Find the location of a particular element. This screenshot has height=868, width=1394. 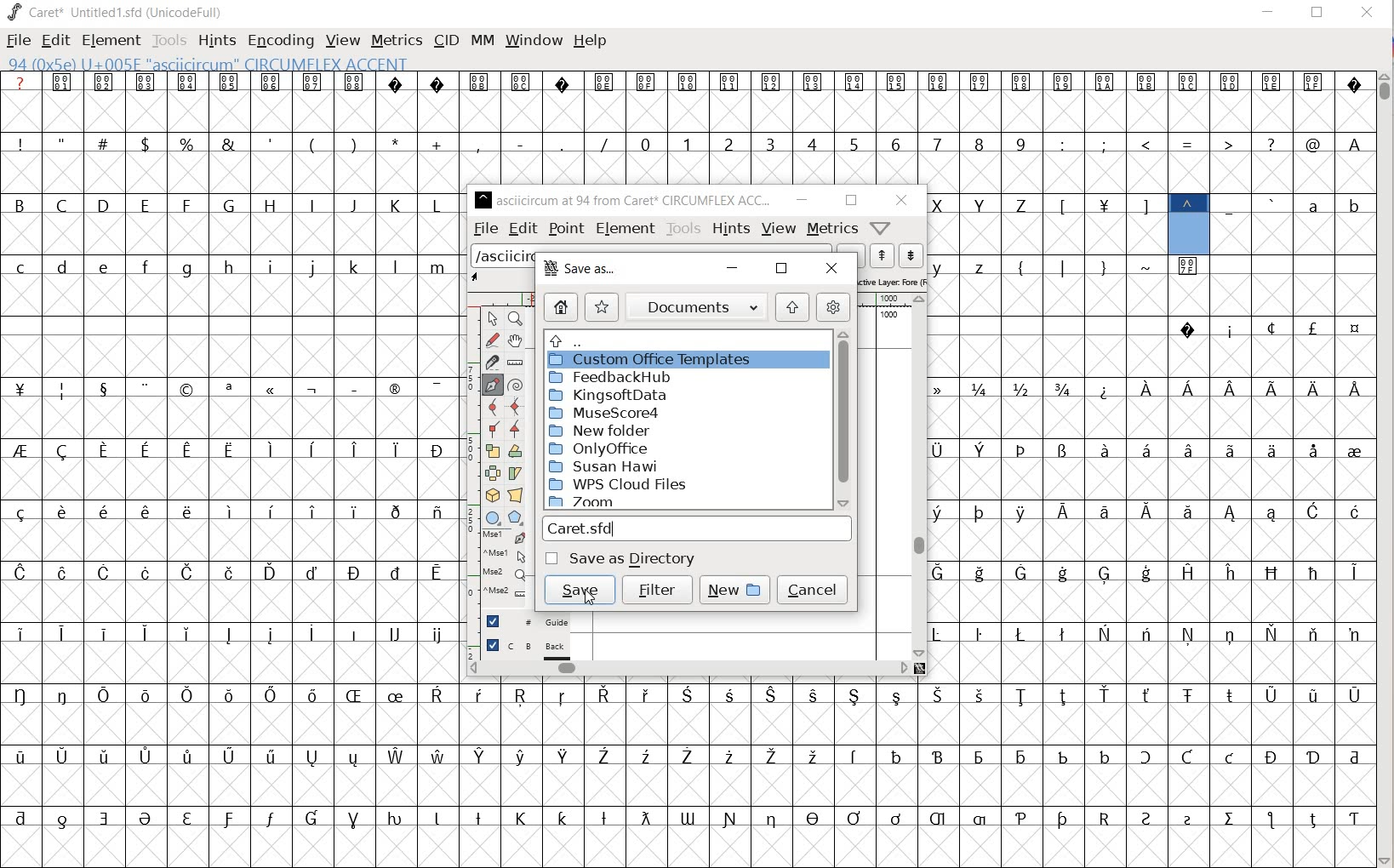

TOOLS is located at coordinates (169, 40).